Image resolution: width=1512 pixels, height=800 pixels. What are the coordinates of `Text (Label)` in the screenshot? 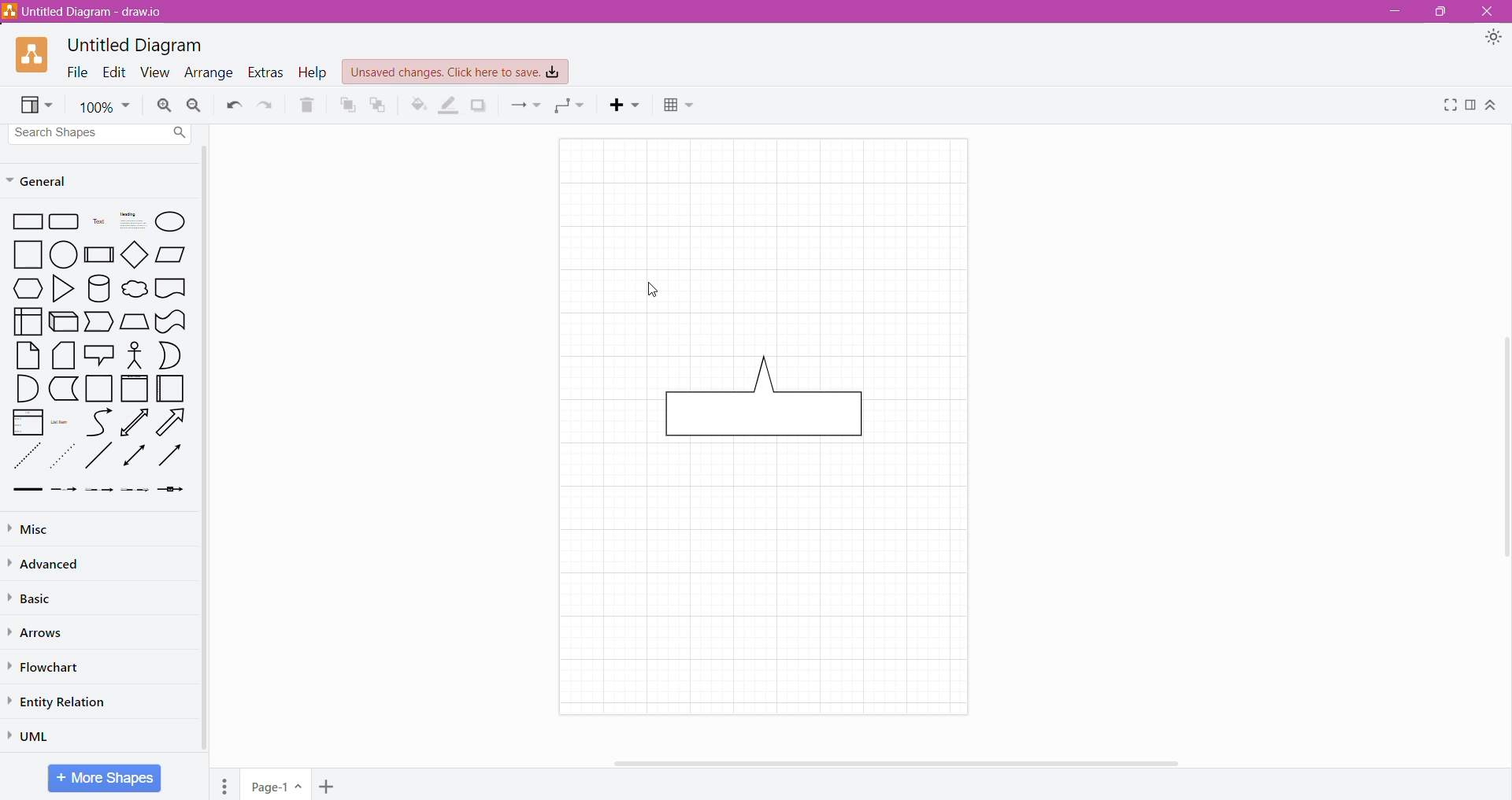 It's located at (97, 224).